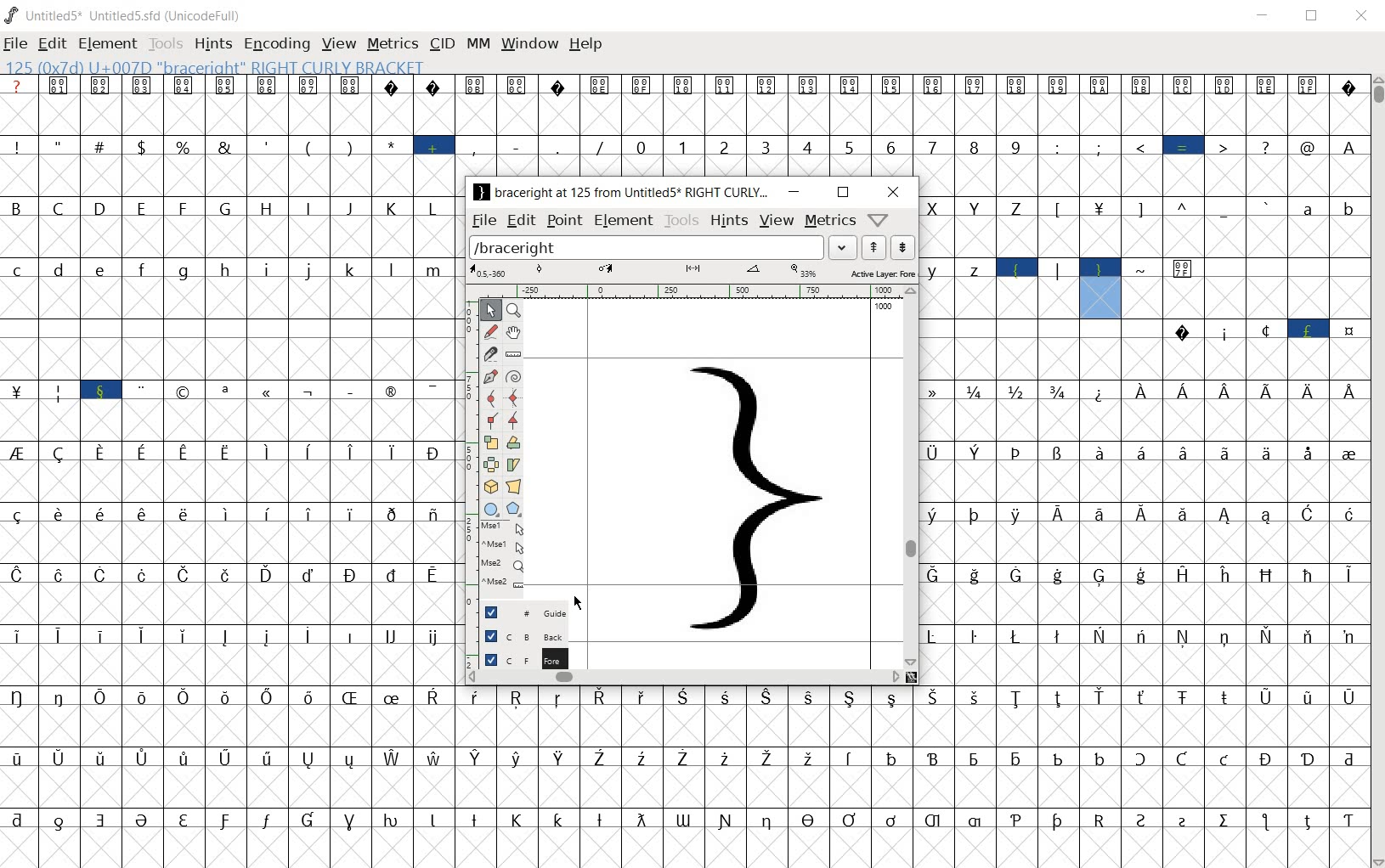 The image size is (1385, 868). What do you see at coordinates (902, 247) in the screenshot?
I see `show the previous word on the list` at bounding box center [902, 247].